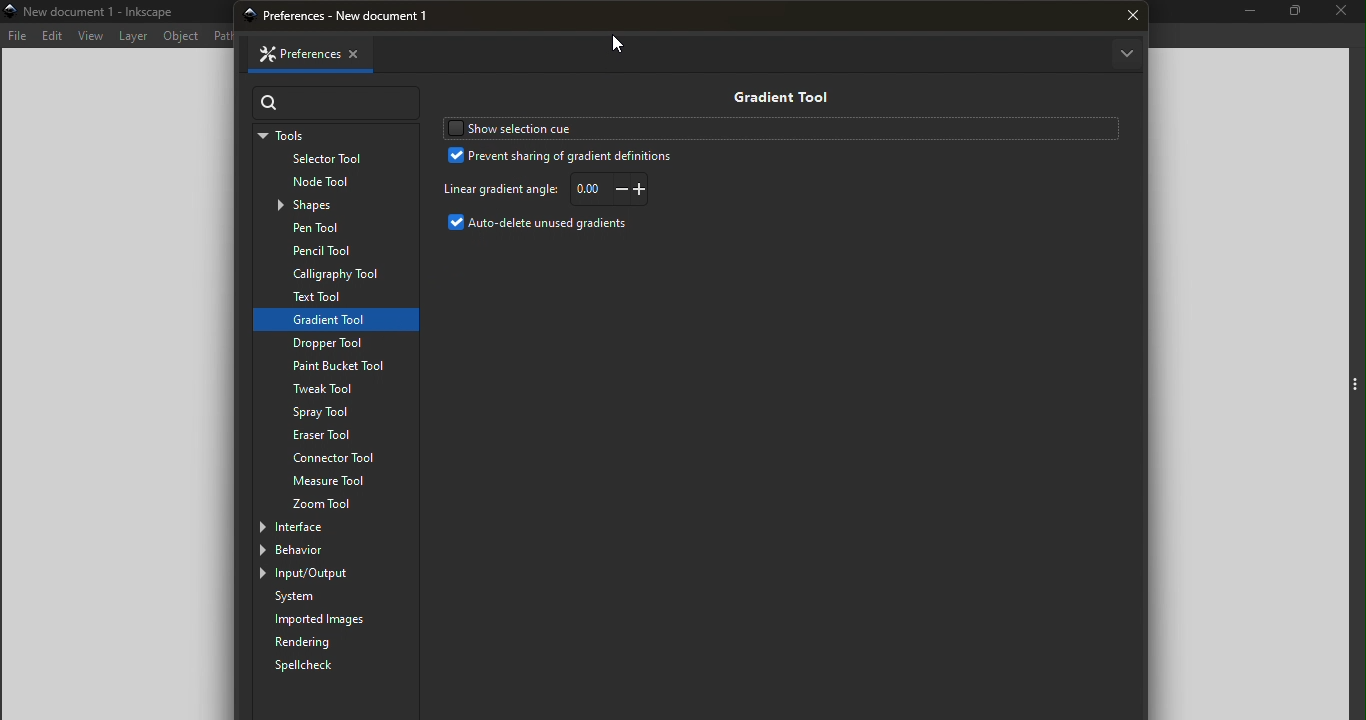 The image size is (1366, 720). What do you see at coordinates (1133, 16) in the screenshot?
I see `close` at bounding box center [1133, 16].